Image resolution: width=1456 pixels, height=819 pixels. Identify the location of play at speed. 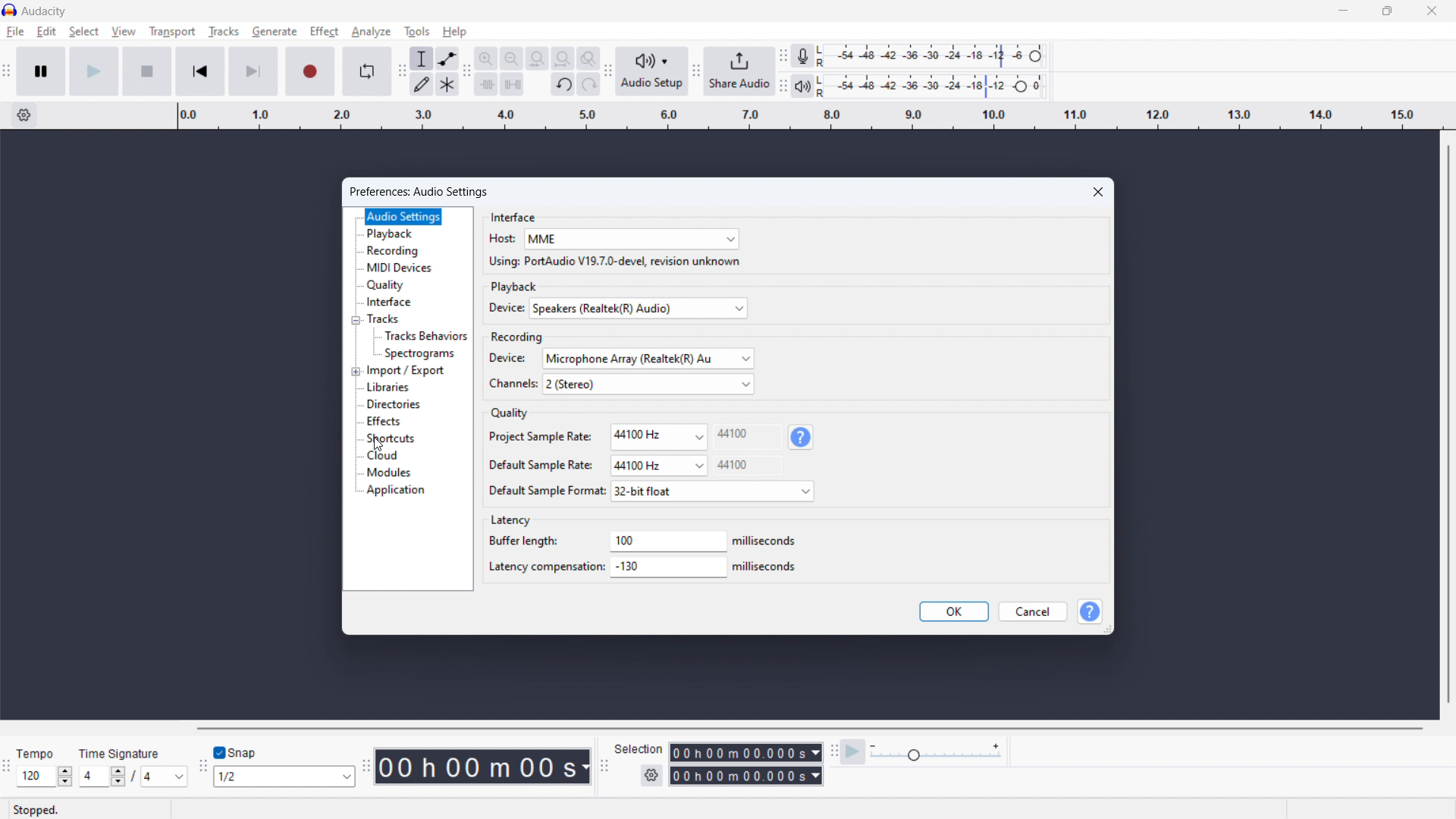
(853, 752).